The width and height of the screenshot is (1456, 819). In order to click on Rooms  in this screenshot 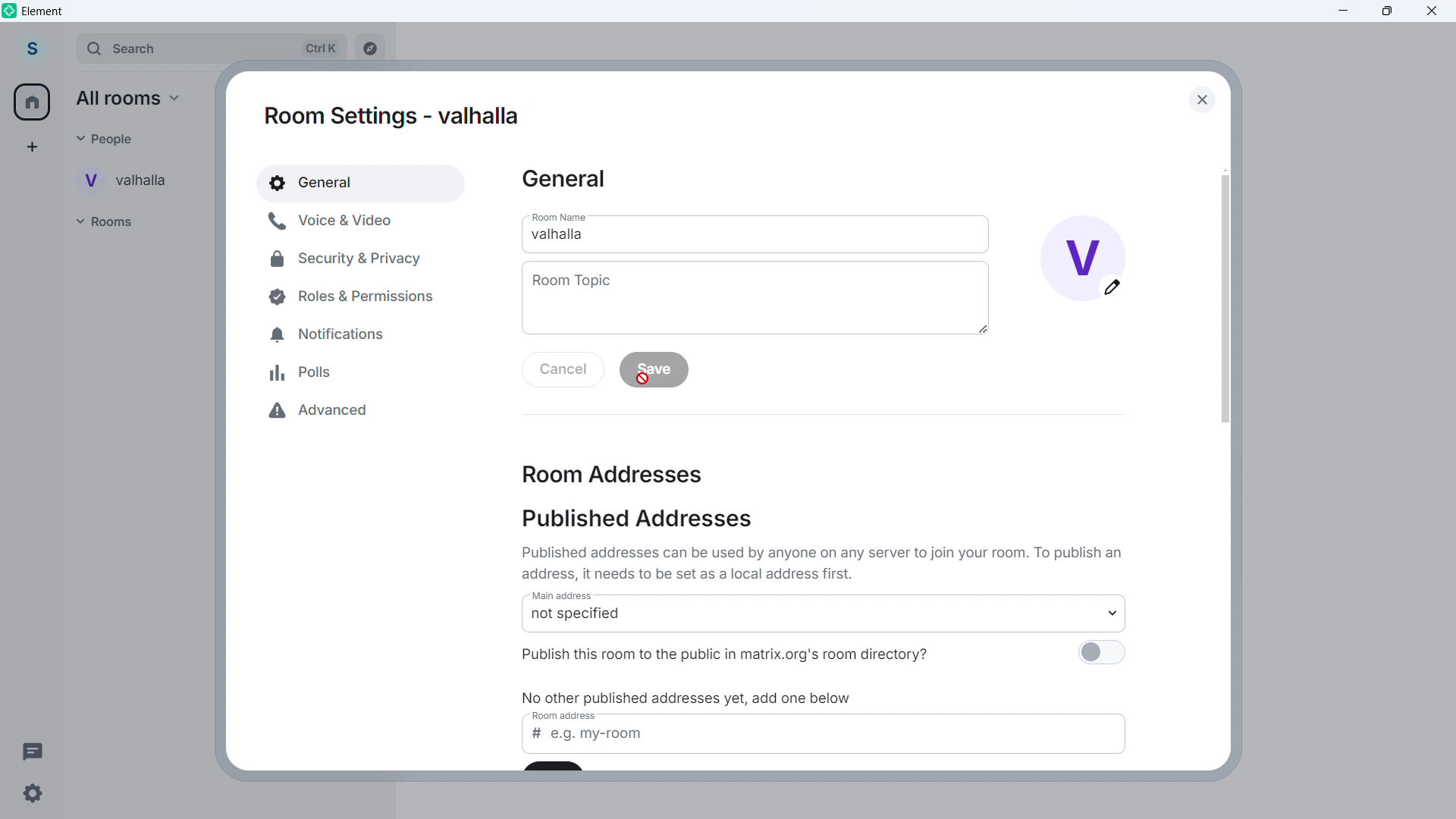, I will do `click(108, 221)`.